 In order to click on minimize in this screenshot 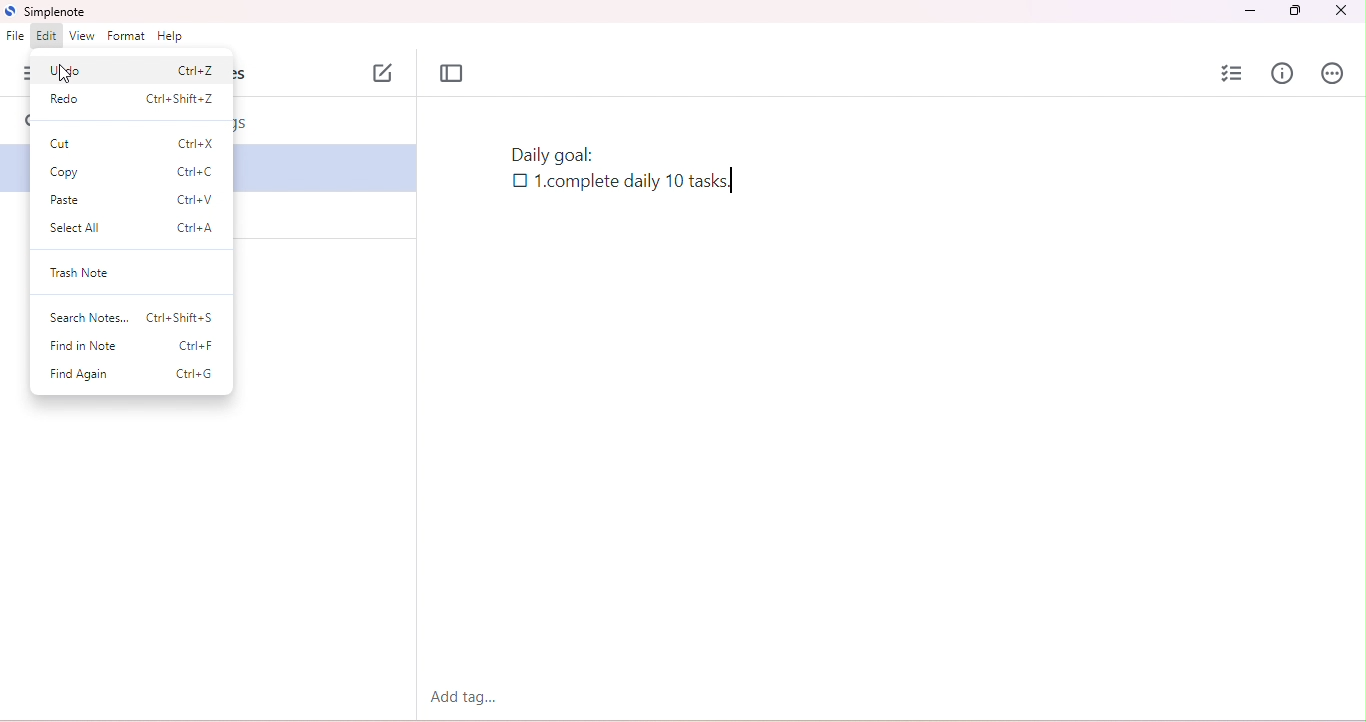, I will do `click(1249, 11)`.